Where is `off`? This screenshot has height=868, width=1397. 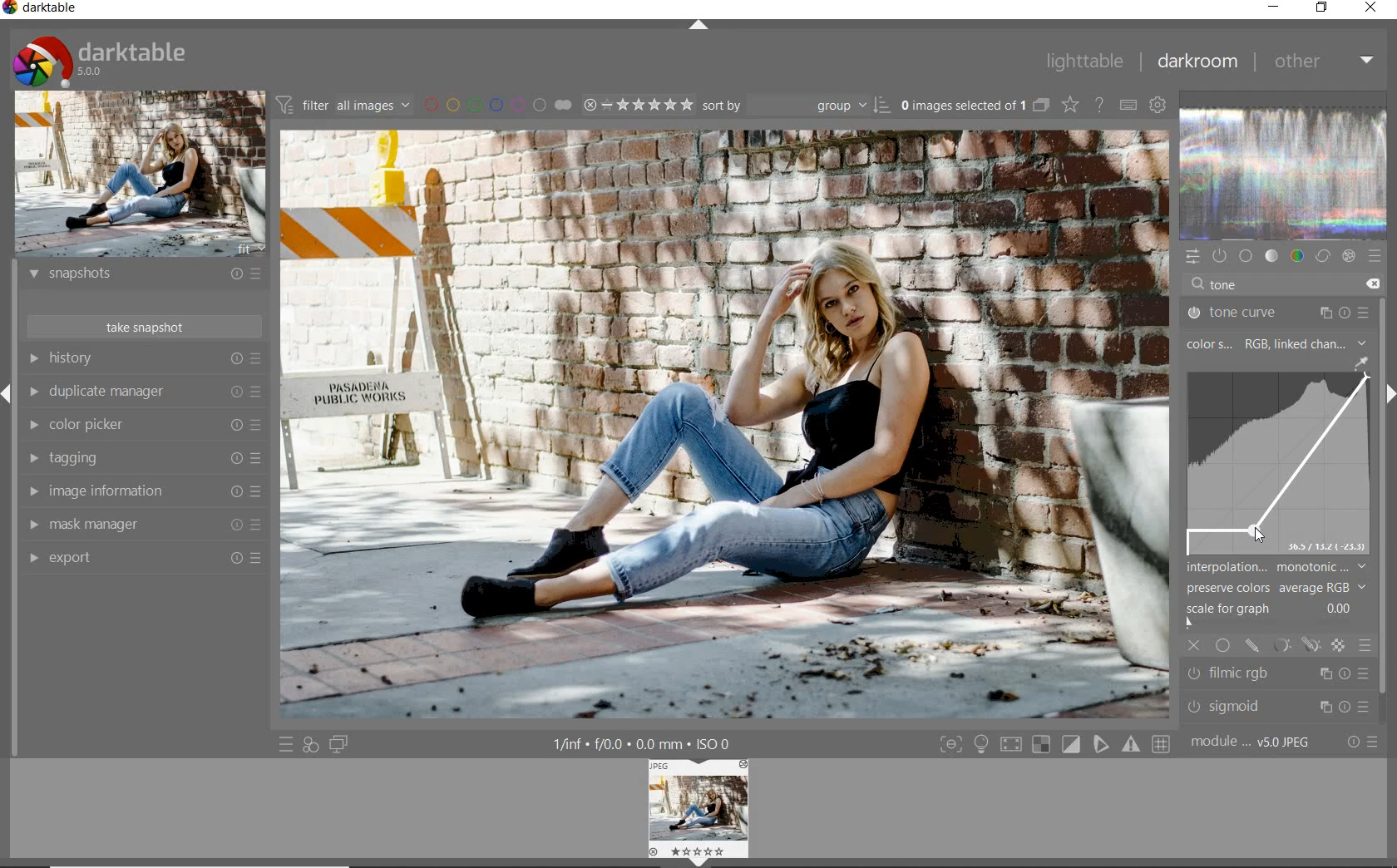 off is located at coordinates (1196, 645).